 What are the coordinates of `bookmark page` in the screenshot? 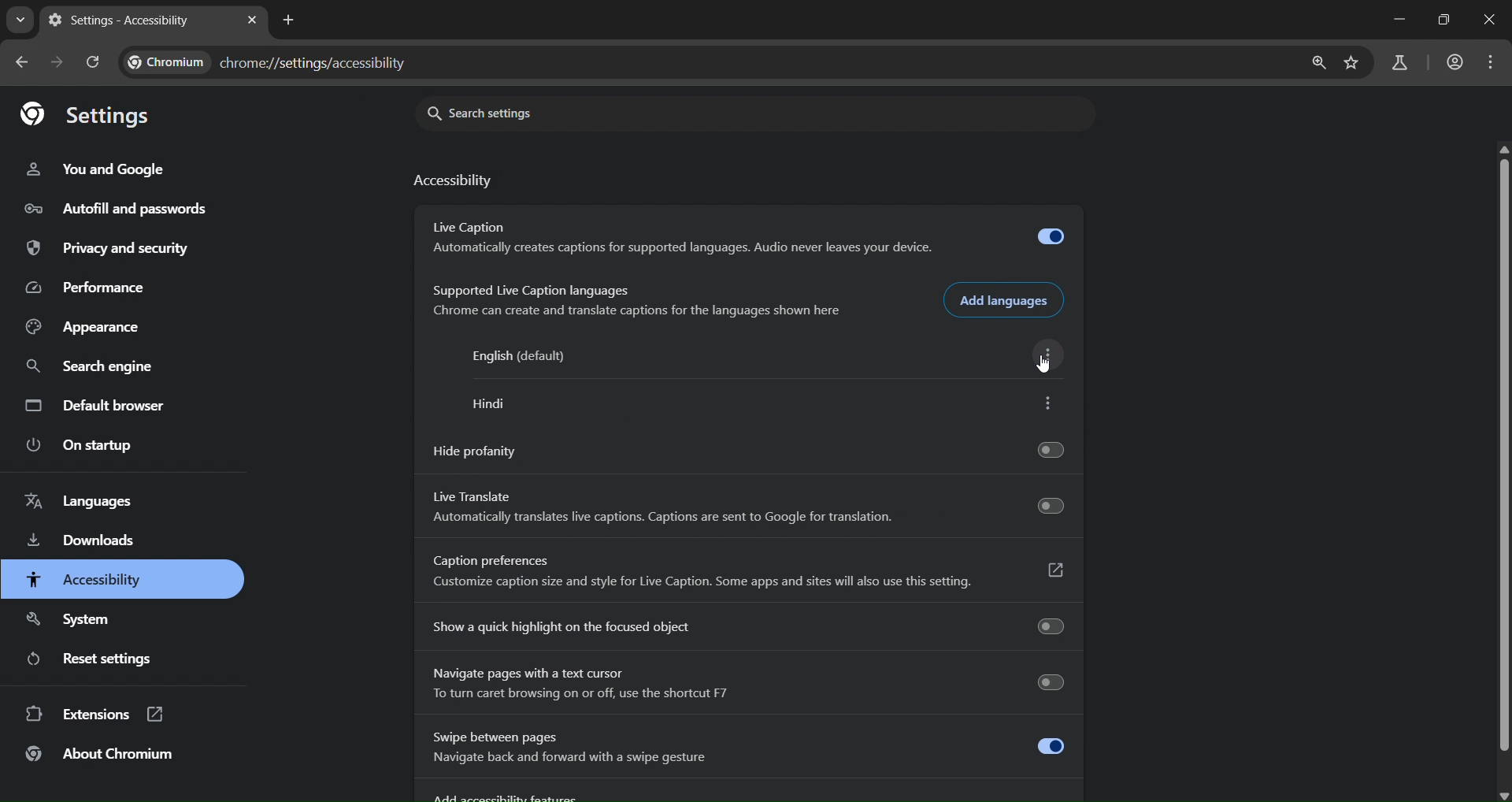 It's located at (1352, 62).